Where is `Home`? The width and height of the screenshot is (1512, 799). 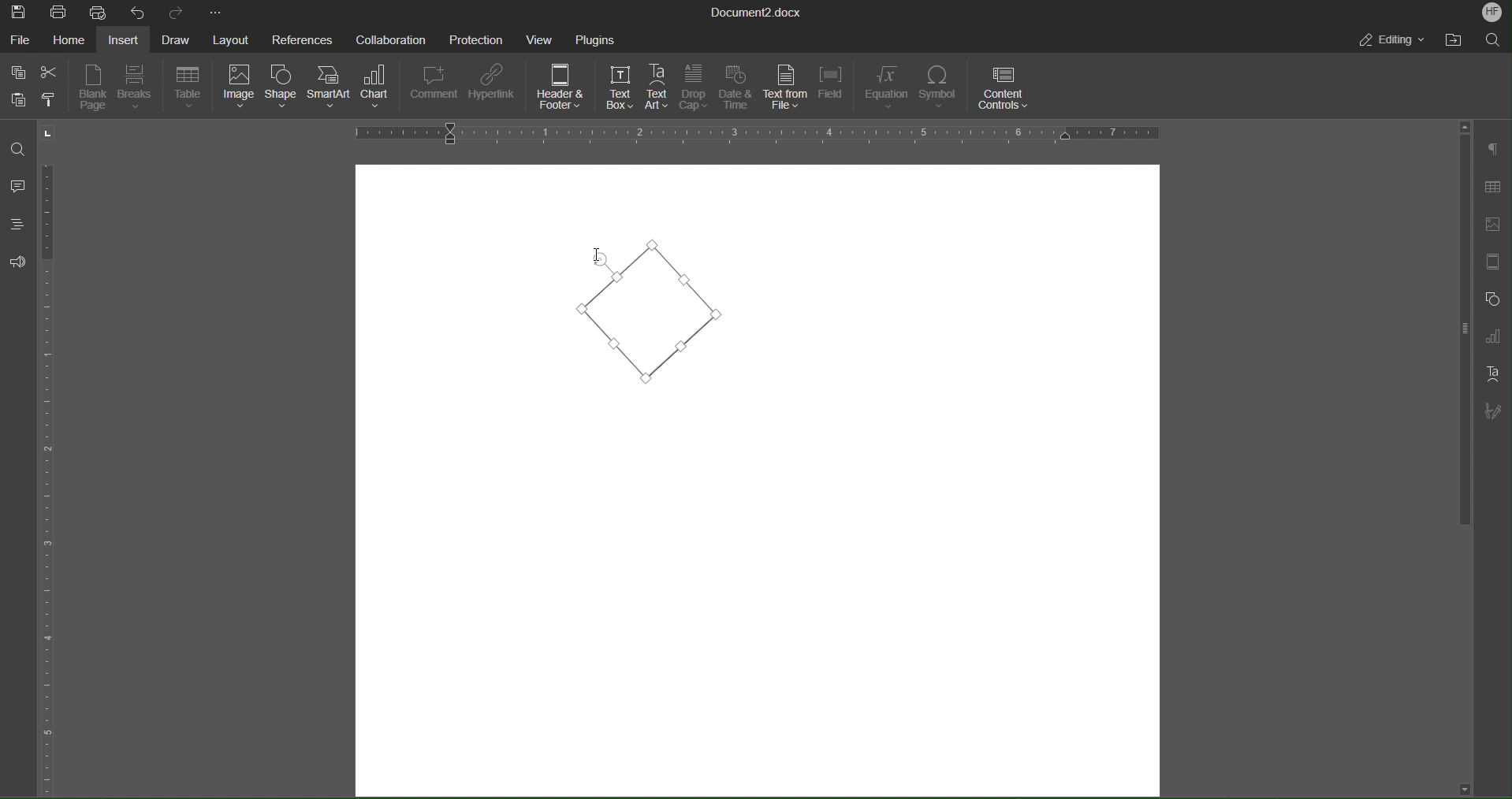 Home is located at coordinates (68, 39).